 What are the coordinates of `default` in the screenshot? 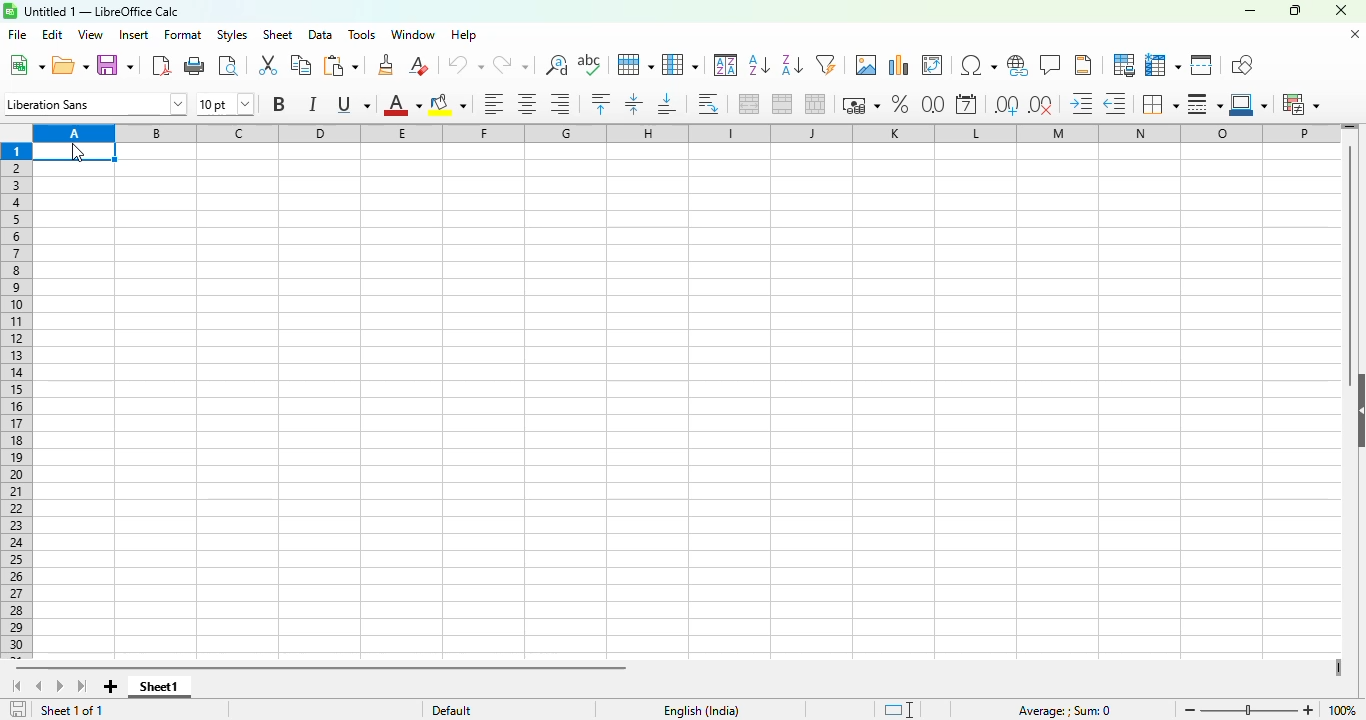 It's located at (452, 709).